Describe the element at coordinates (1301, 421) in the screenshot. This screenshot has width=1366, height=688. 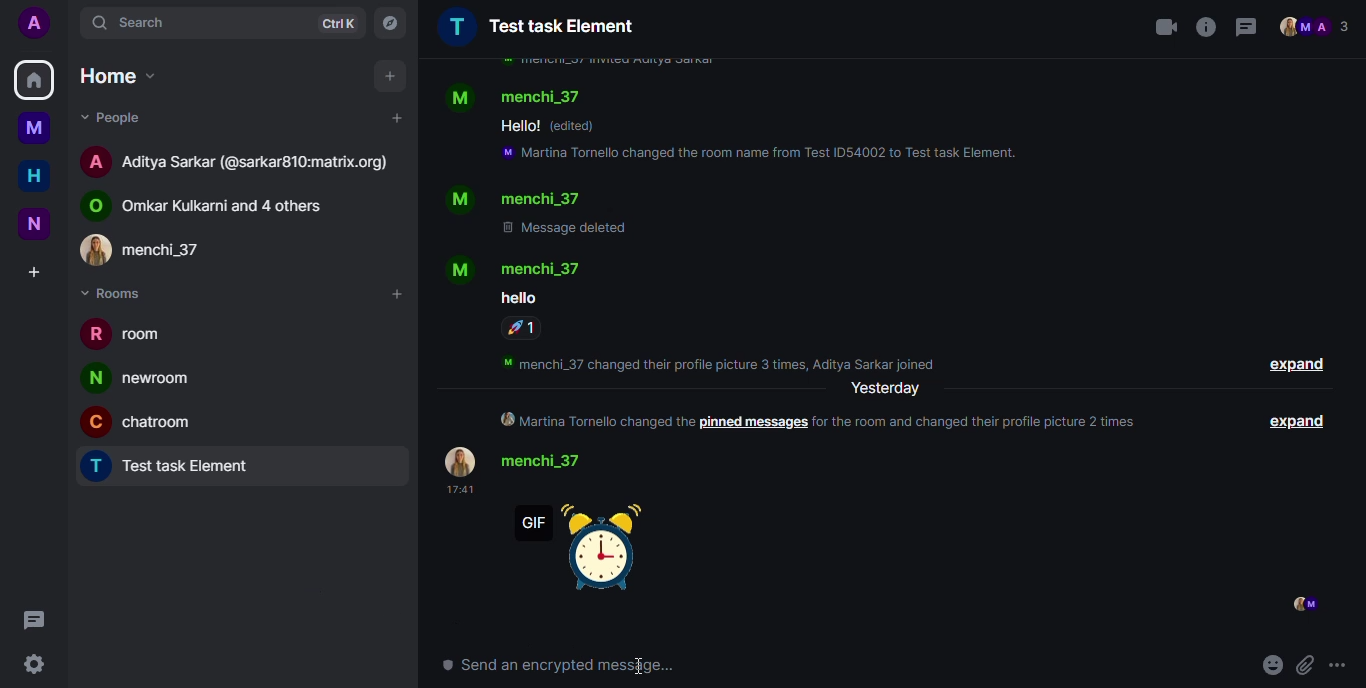
I see `expand` at that location.